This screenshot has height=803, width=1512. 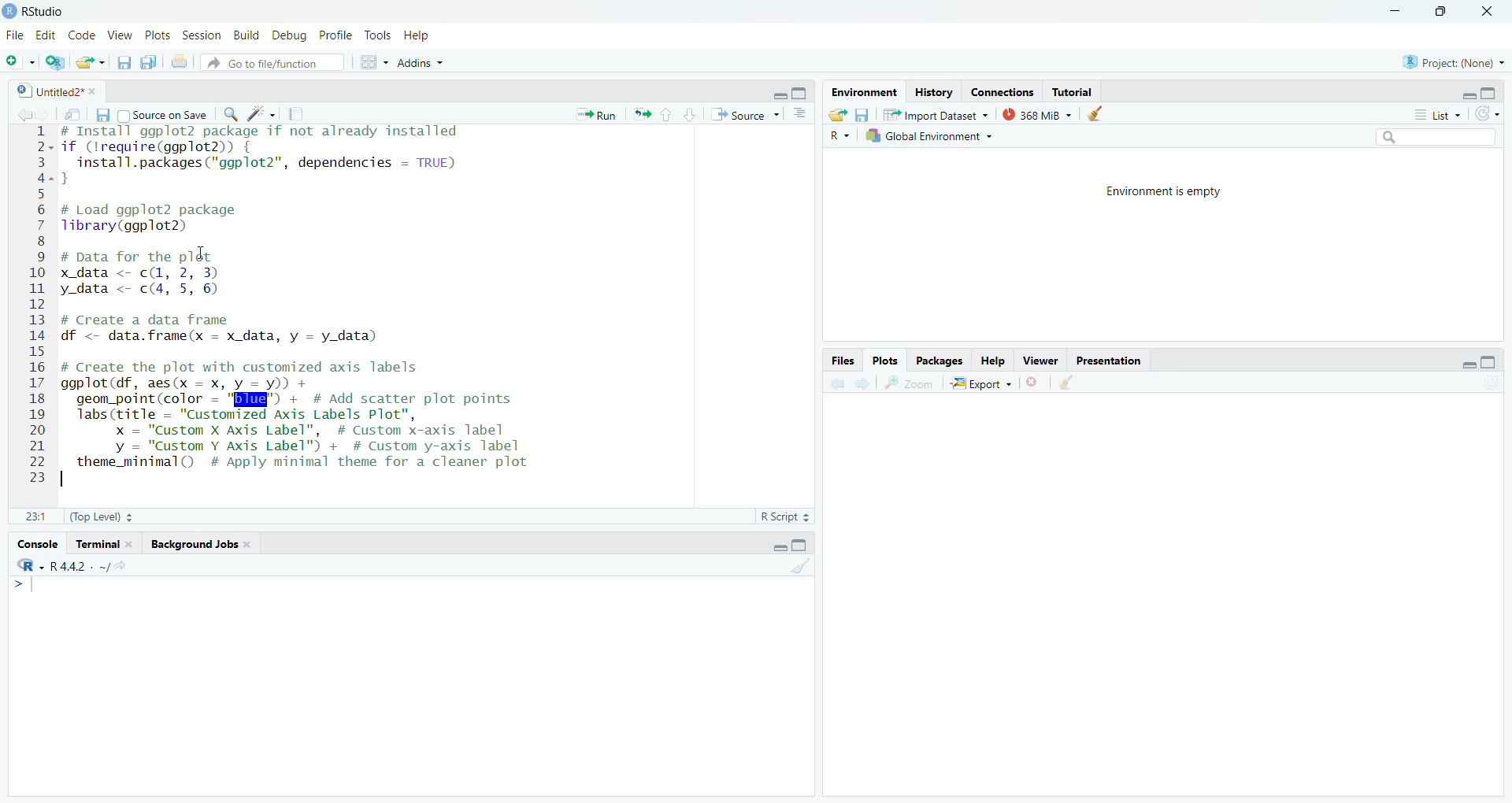 What do you see at coordinates (169, 115) in the screenshot?
I see `Source on Save` at bounding box center [169, 115].